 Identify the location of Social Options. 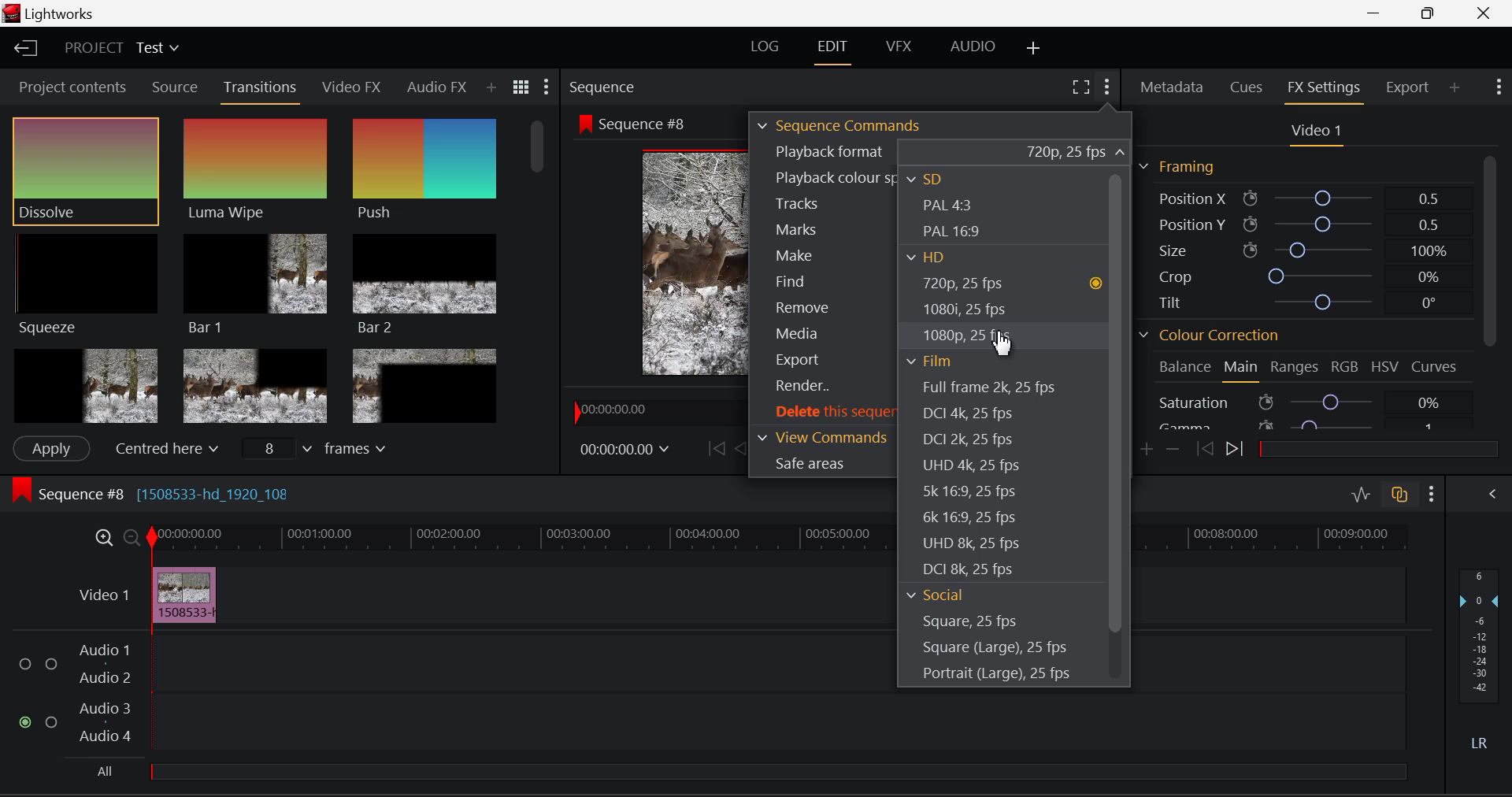
(936, 594).